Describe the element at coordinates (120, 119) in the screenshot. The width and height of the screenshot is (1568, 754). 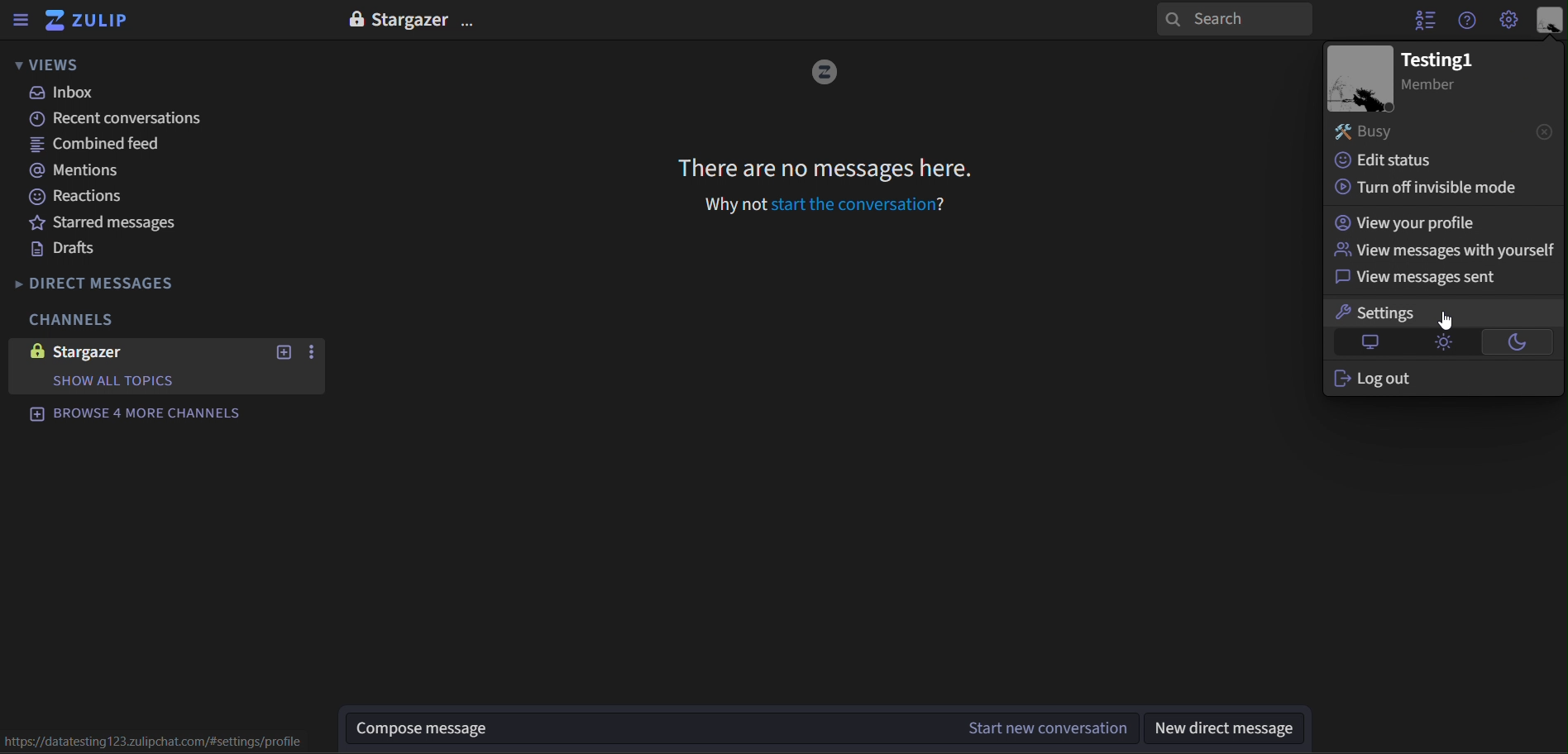
I see `recent conversations` at that location.